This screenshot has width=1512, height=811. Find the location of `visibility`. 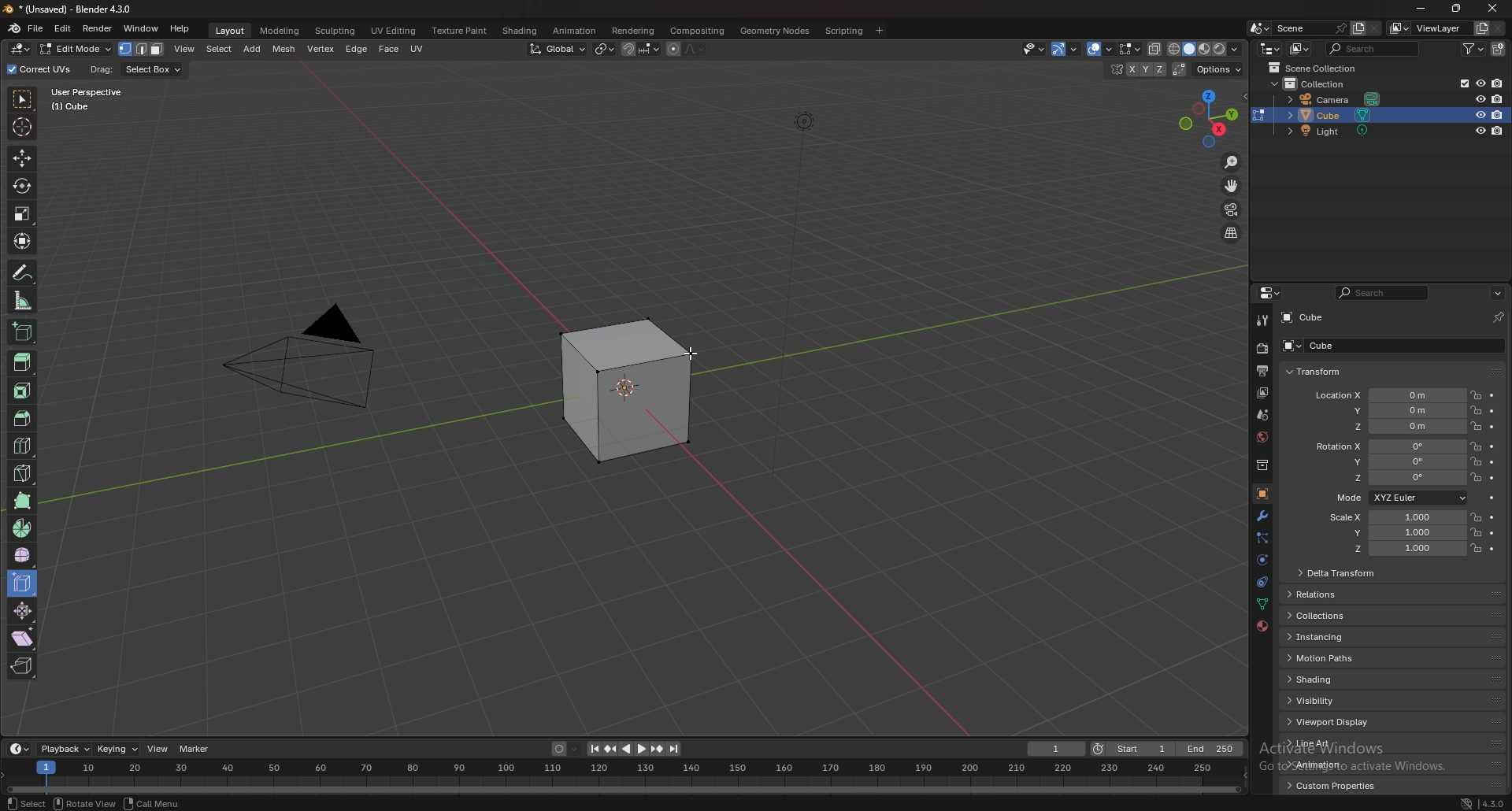

visibility is located at coordinates (1317, 700).